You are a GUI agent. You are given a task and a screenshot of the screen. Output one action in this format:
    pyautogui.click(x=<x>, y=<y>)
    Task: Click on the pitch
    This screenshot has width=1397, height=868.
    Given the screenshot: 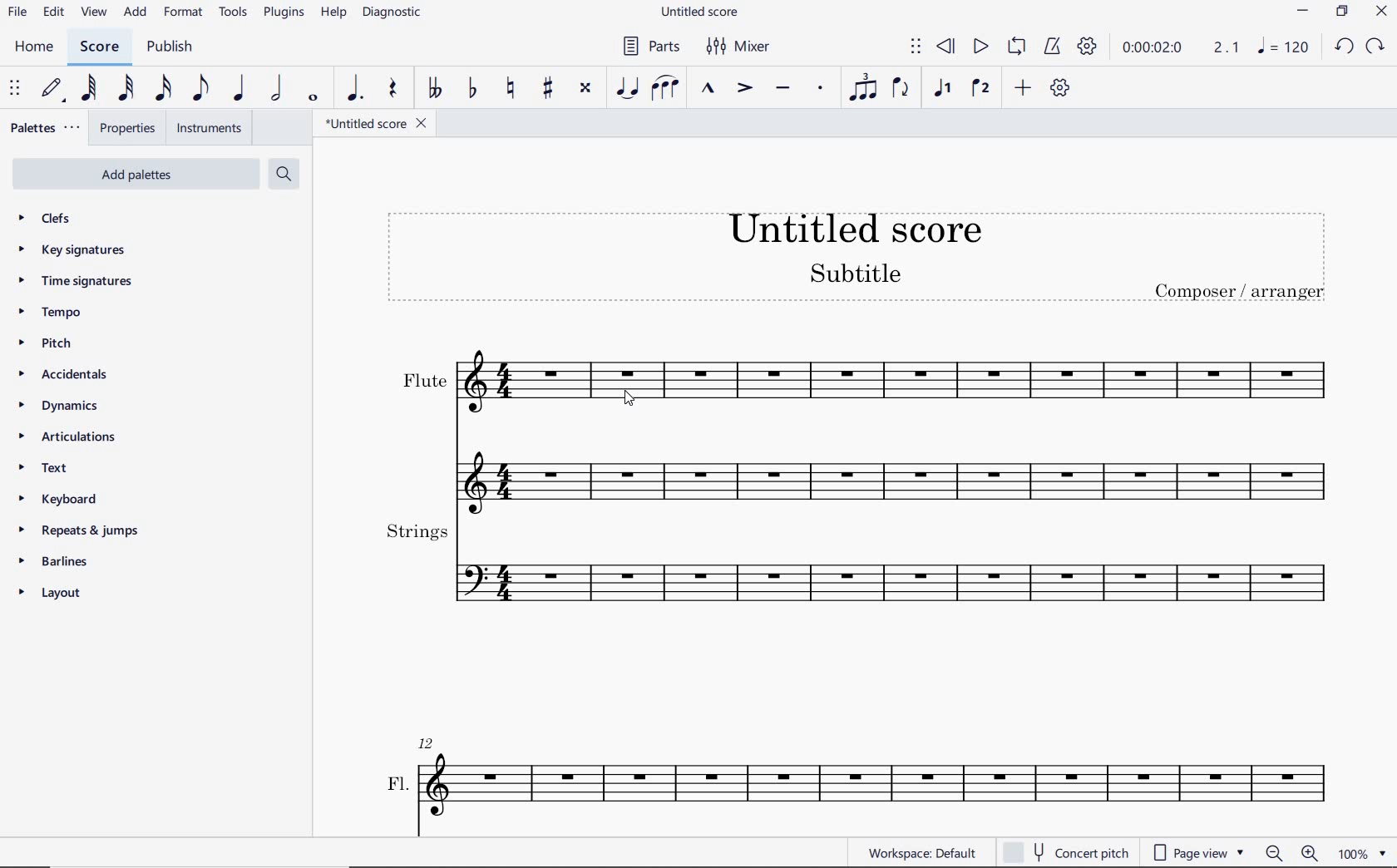 What is the action you would take?
    pyautogui.click(x=46, y=343)
    